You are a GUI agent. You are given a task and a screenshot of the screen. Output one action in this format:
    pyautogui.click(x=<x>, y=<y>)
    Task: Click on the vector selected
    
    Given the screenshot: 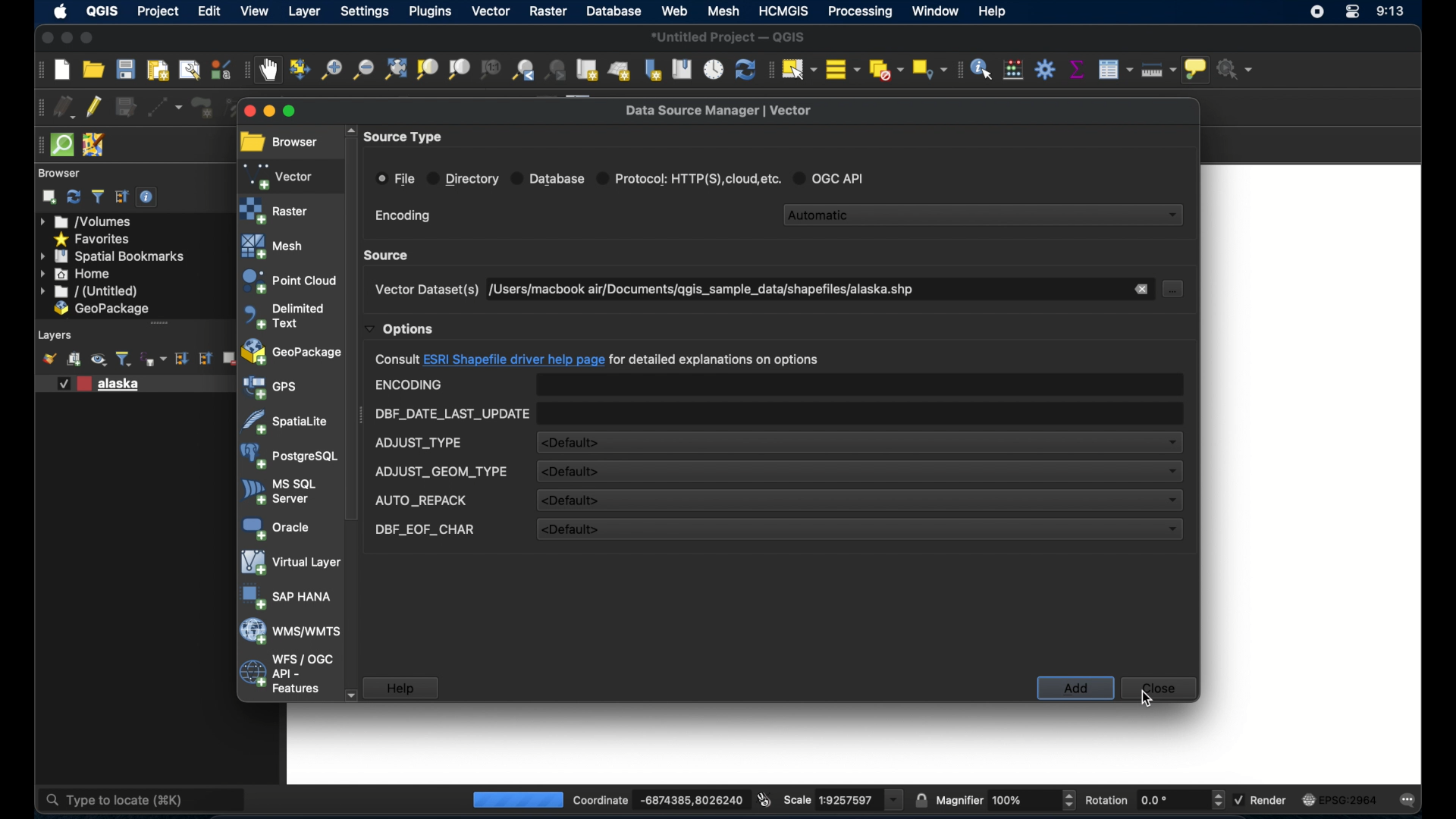 What is the action you would take?
    pyautogui.click(x=280, y=175)
    